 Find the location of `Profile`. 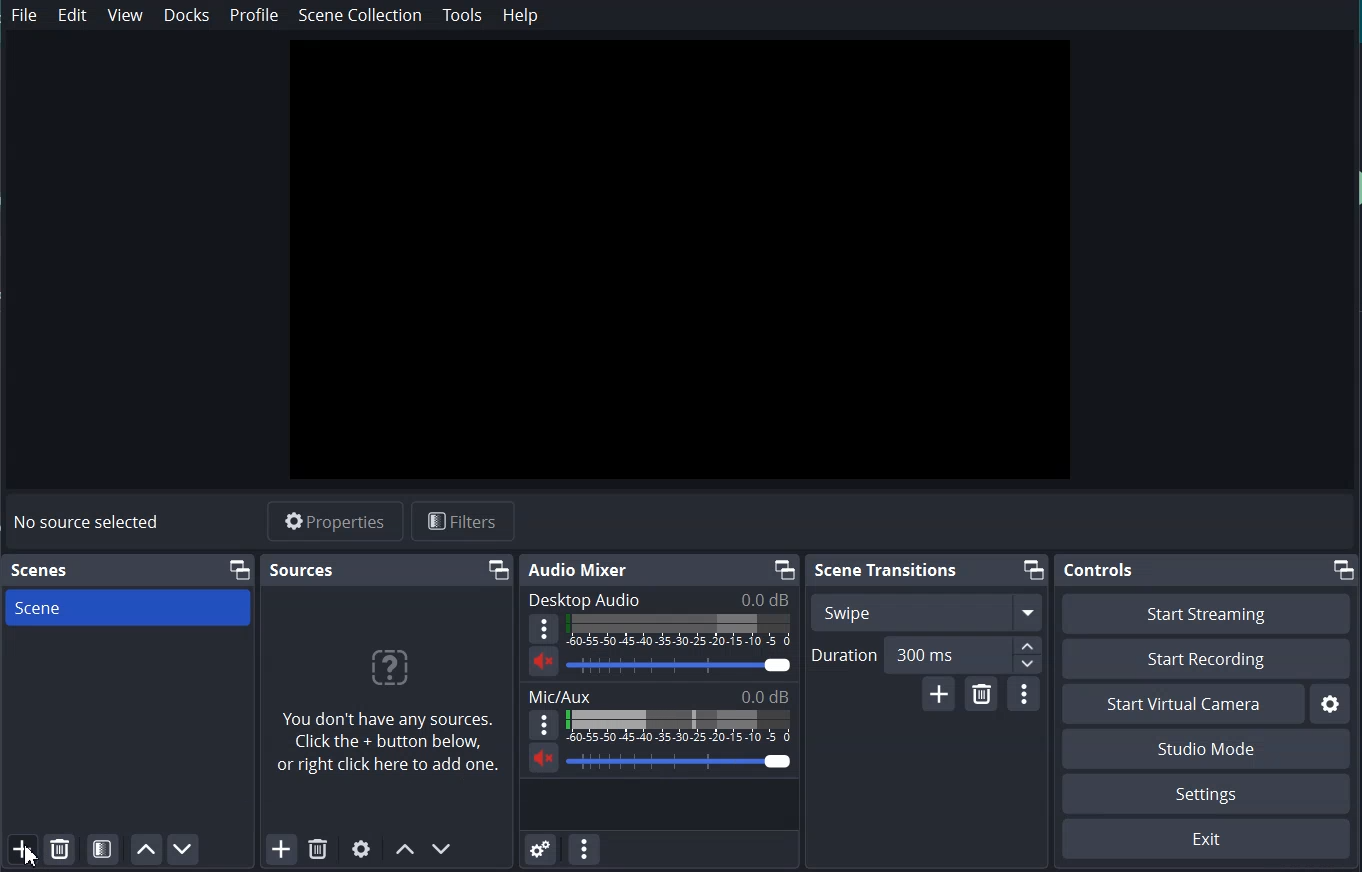

Profile is located at coordinates (254, 15).